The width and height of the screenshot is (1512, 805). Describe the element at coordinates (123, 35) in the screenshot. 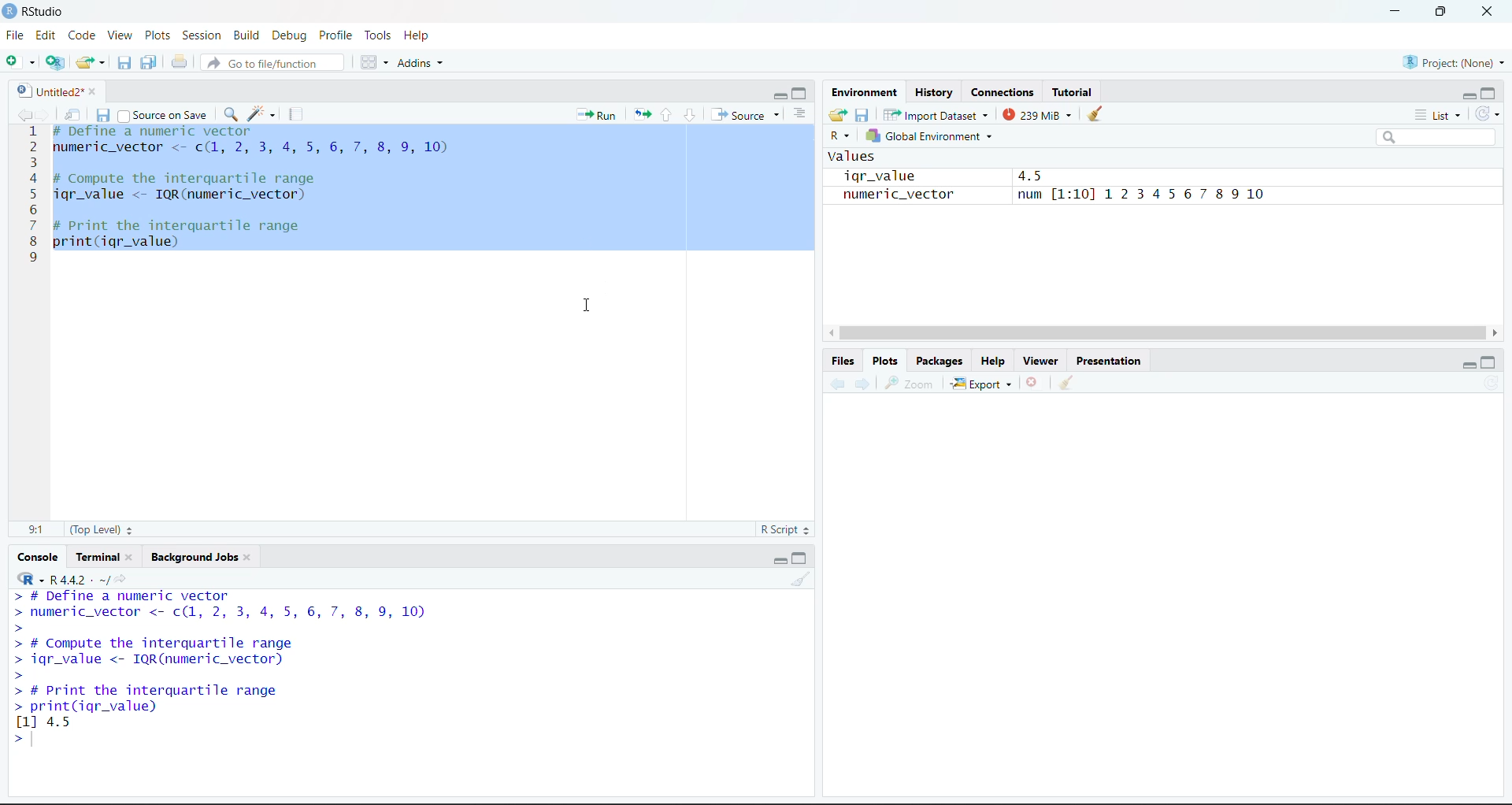

I see `View` at that location.